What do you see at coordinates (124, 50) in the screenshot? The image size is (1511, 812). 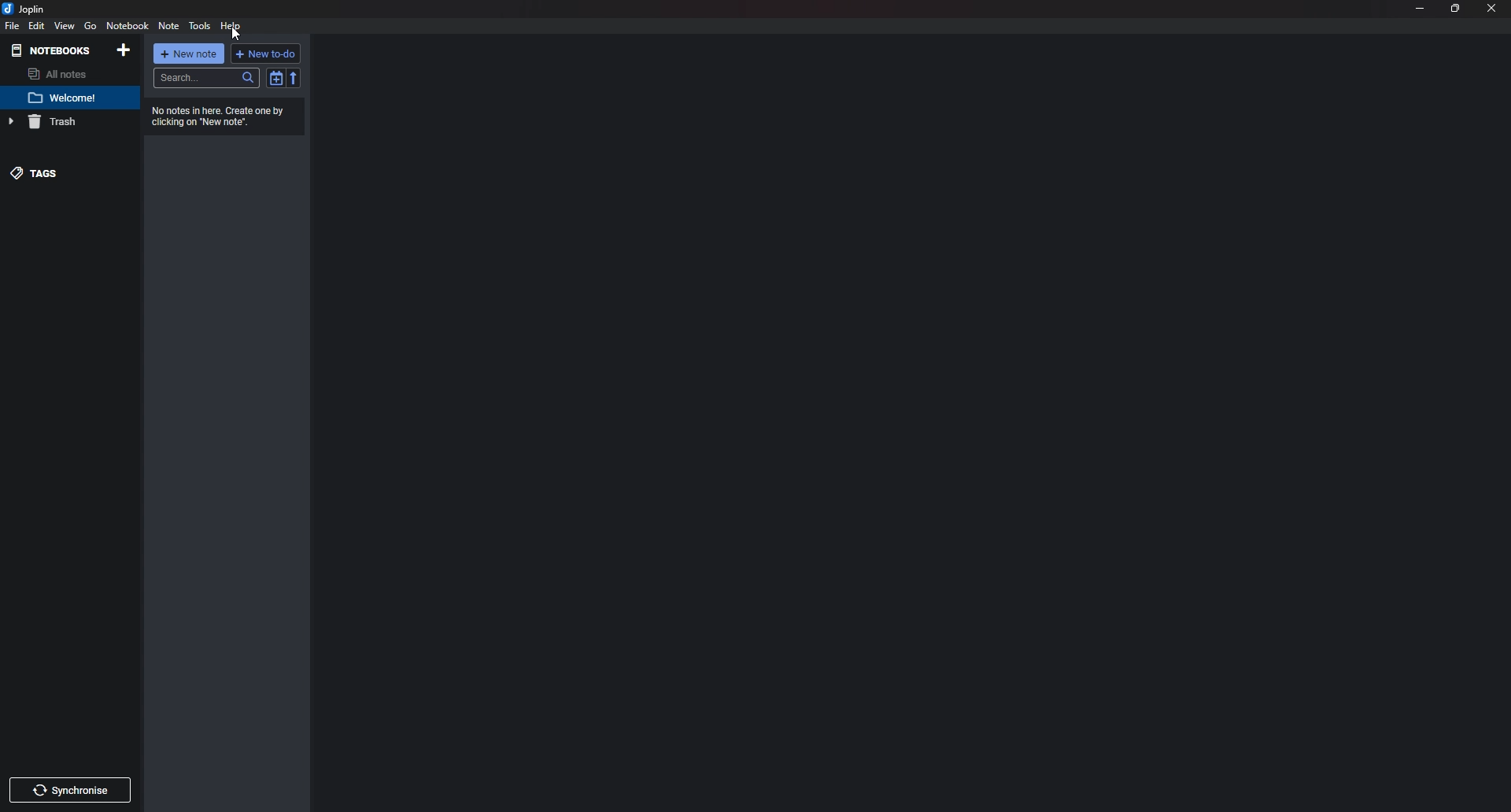 I see `Add notebooks` at bounding box center [124, 50].